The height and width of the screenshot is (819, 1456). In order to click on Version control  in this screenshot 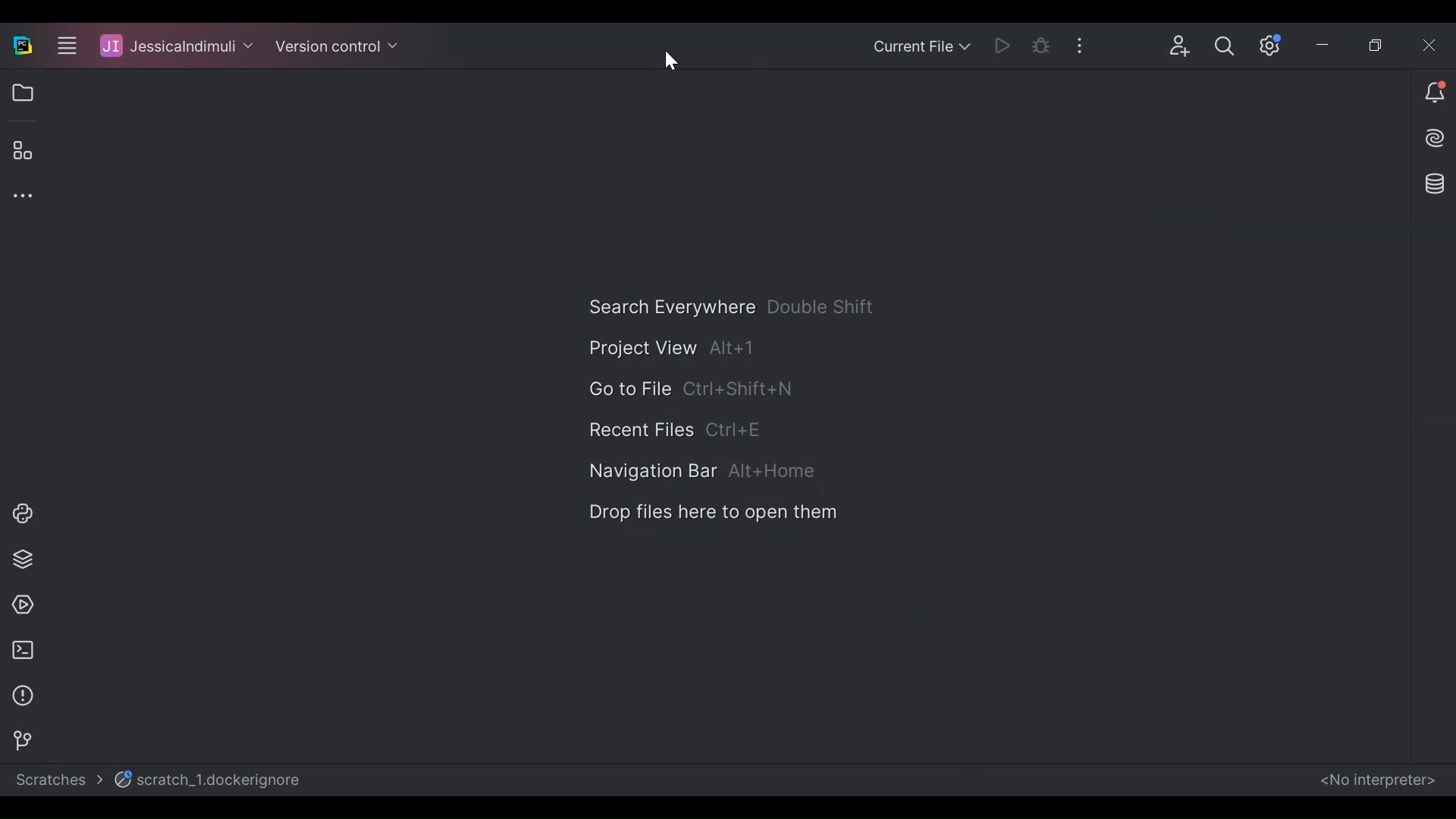, I will do `click(337, 48)`.